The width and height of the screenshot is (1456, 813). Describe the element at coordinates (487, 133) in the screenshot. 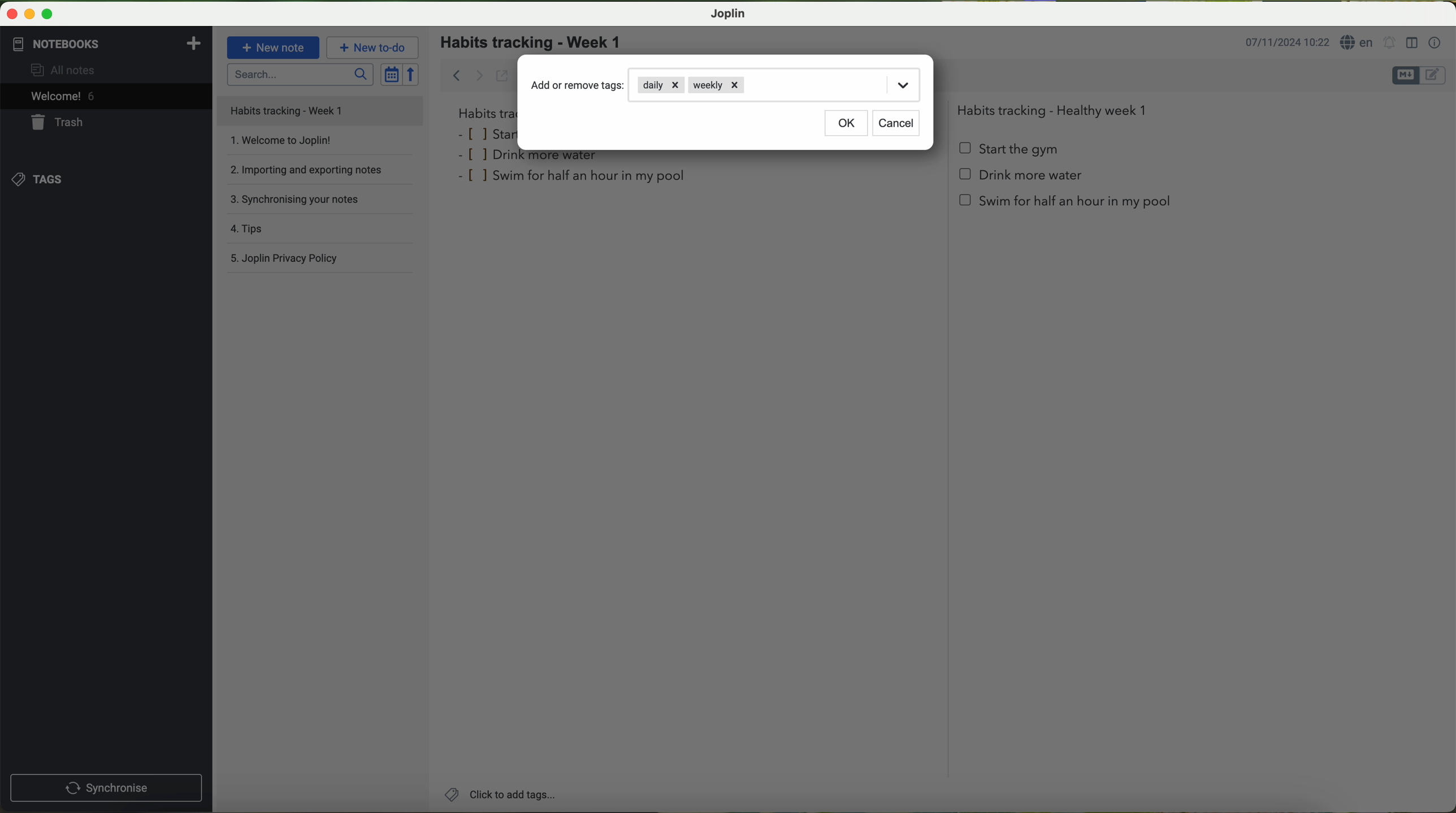

I see `star` at that location.